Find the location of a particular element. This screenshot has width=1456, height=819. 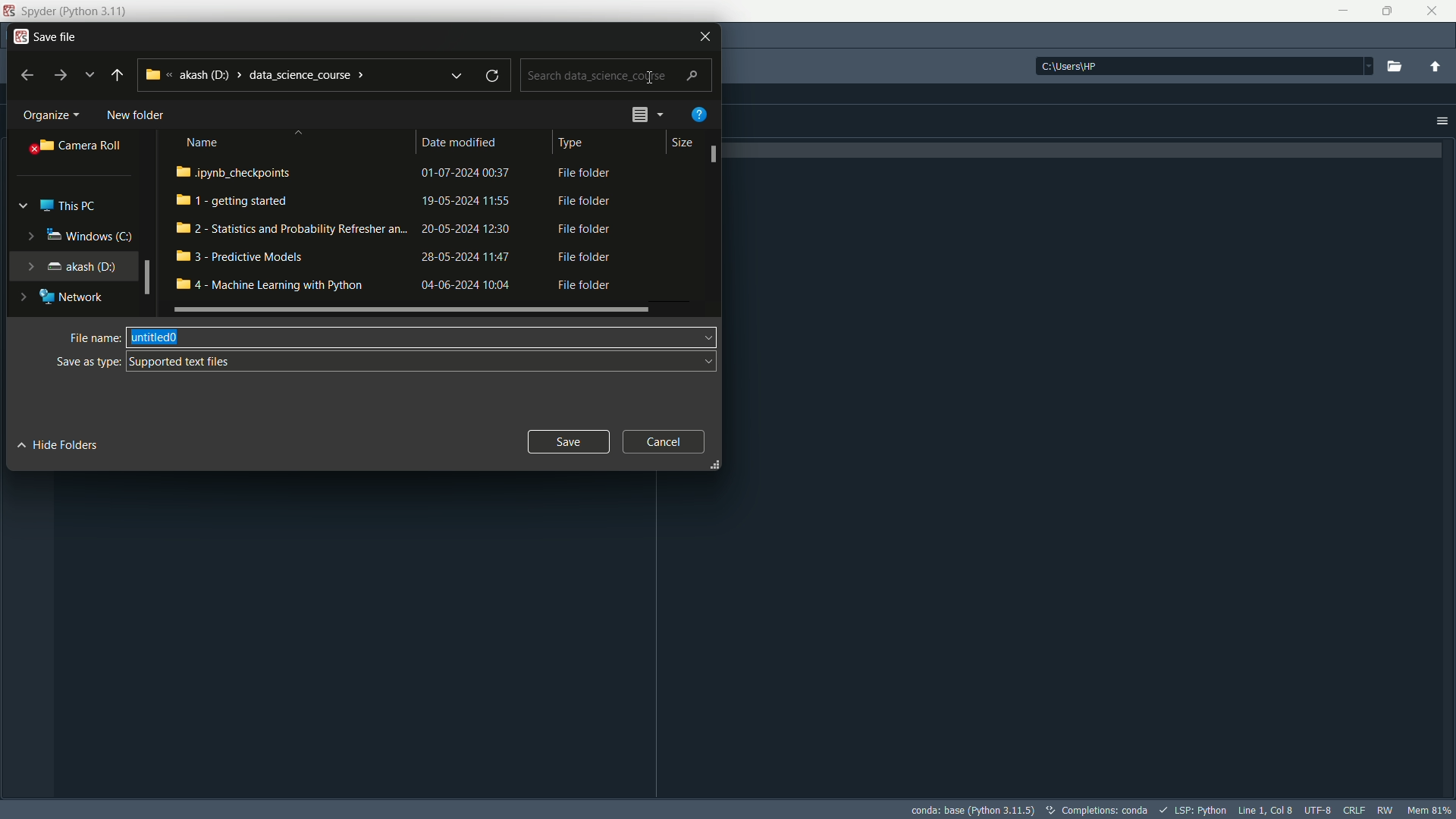

 is located at coordinates (1195, 65).